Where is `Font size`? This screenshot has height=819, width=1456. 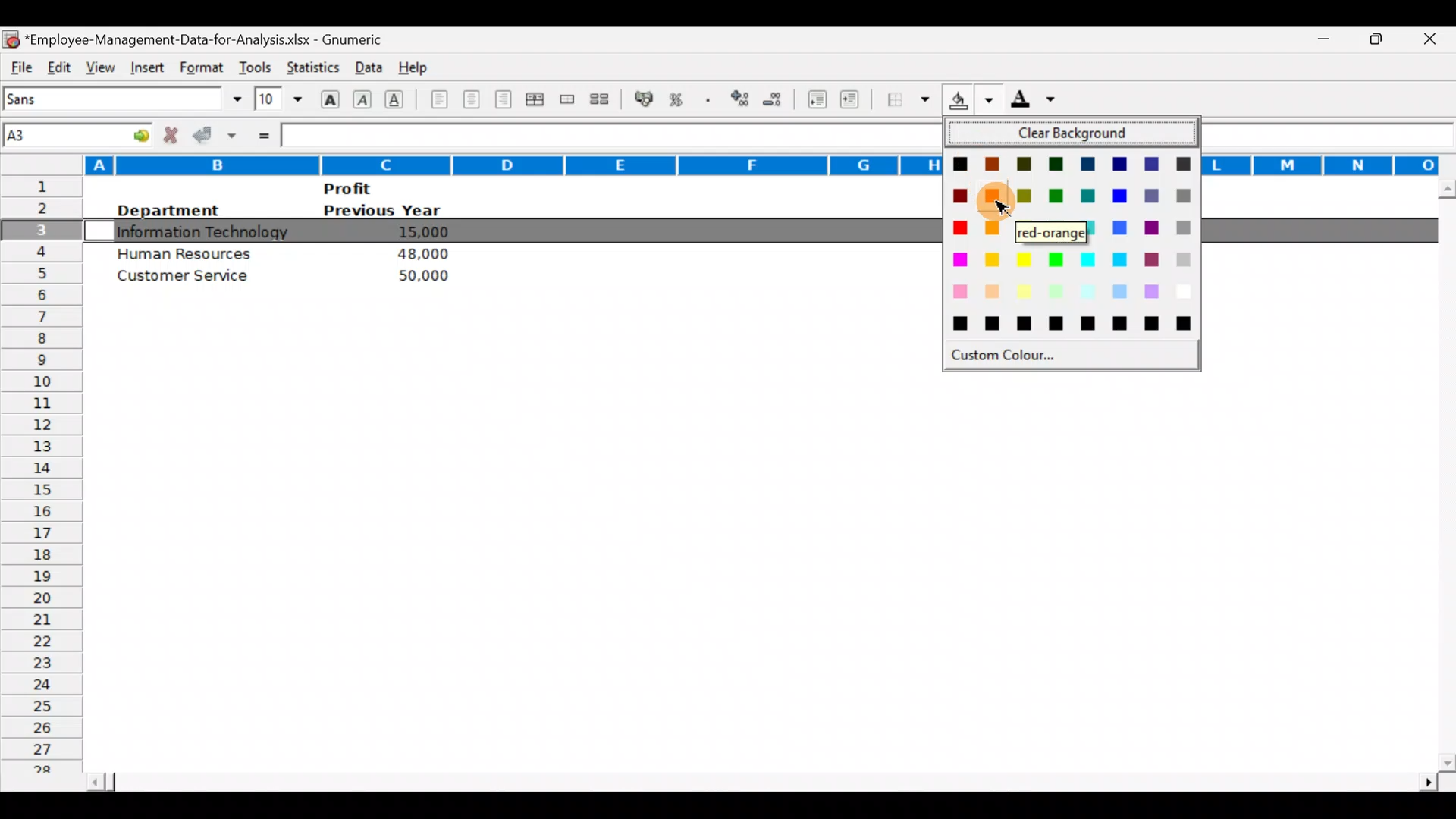 Font size is located at coordinates (278, 99).